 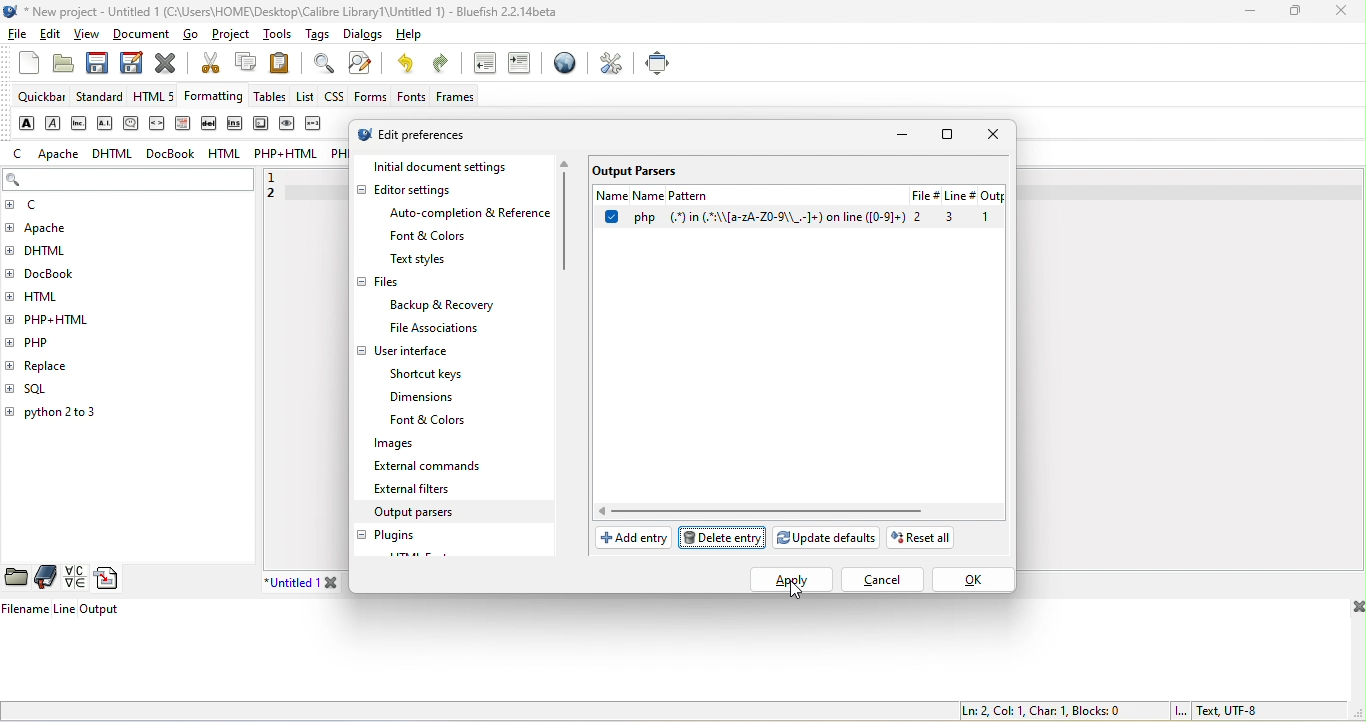 What do you see at coordinates (217, 97) in the screenshot?
I see `formatting` at bounding box center [217, 97].